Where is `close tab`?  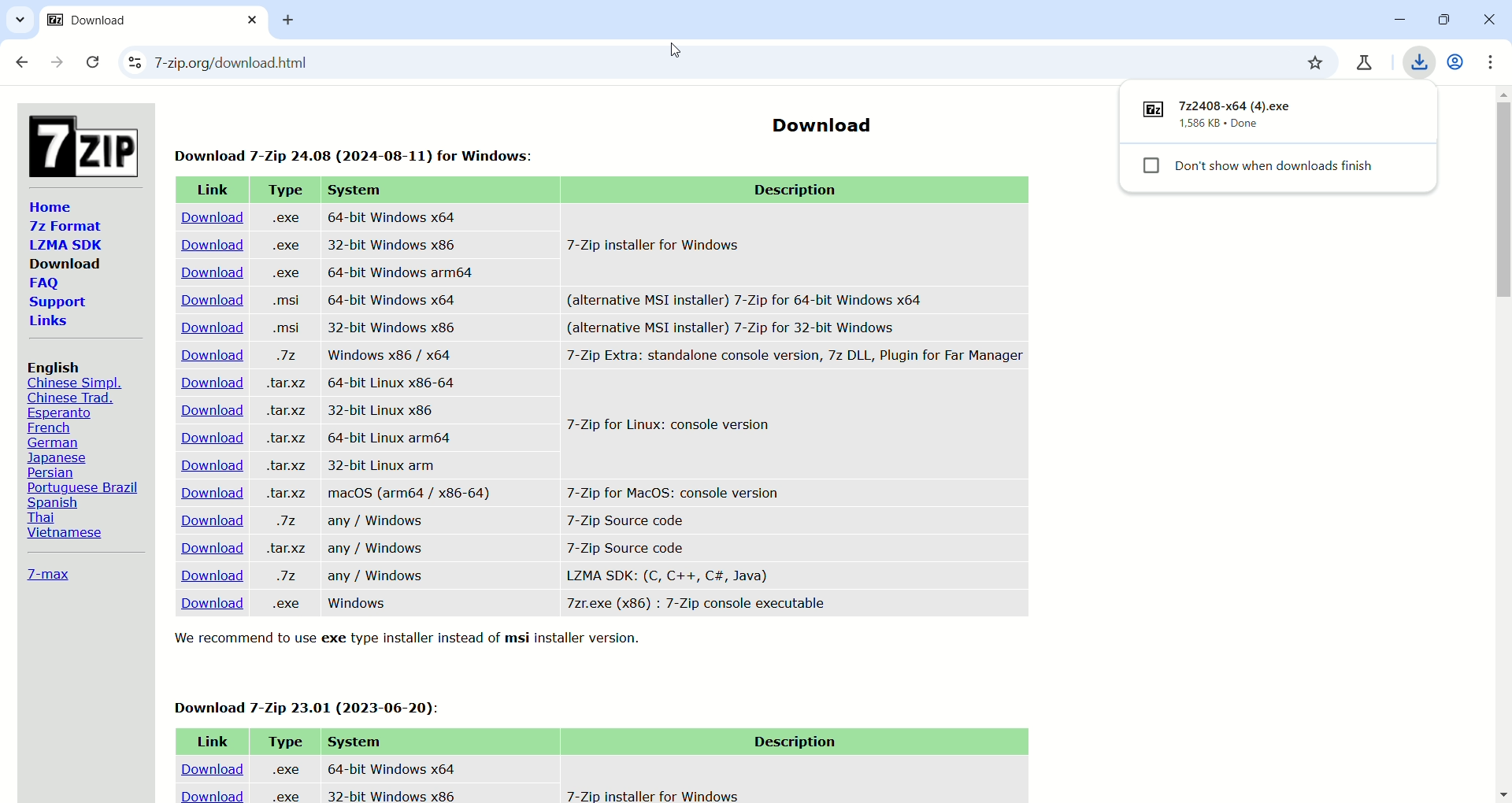 close tab is located at coordinates (254, 20).